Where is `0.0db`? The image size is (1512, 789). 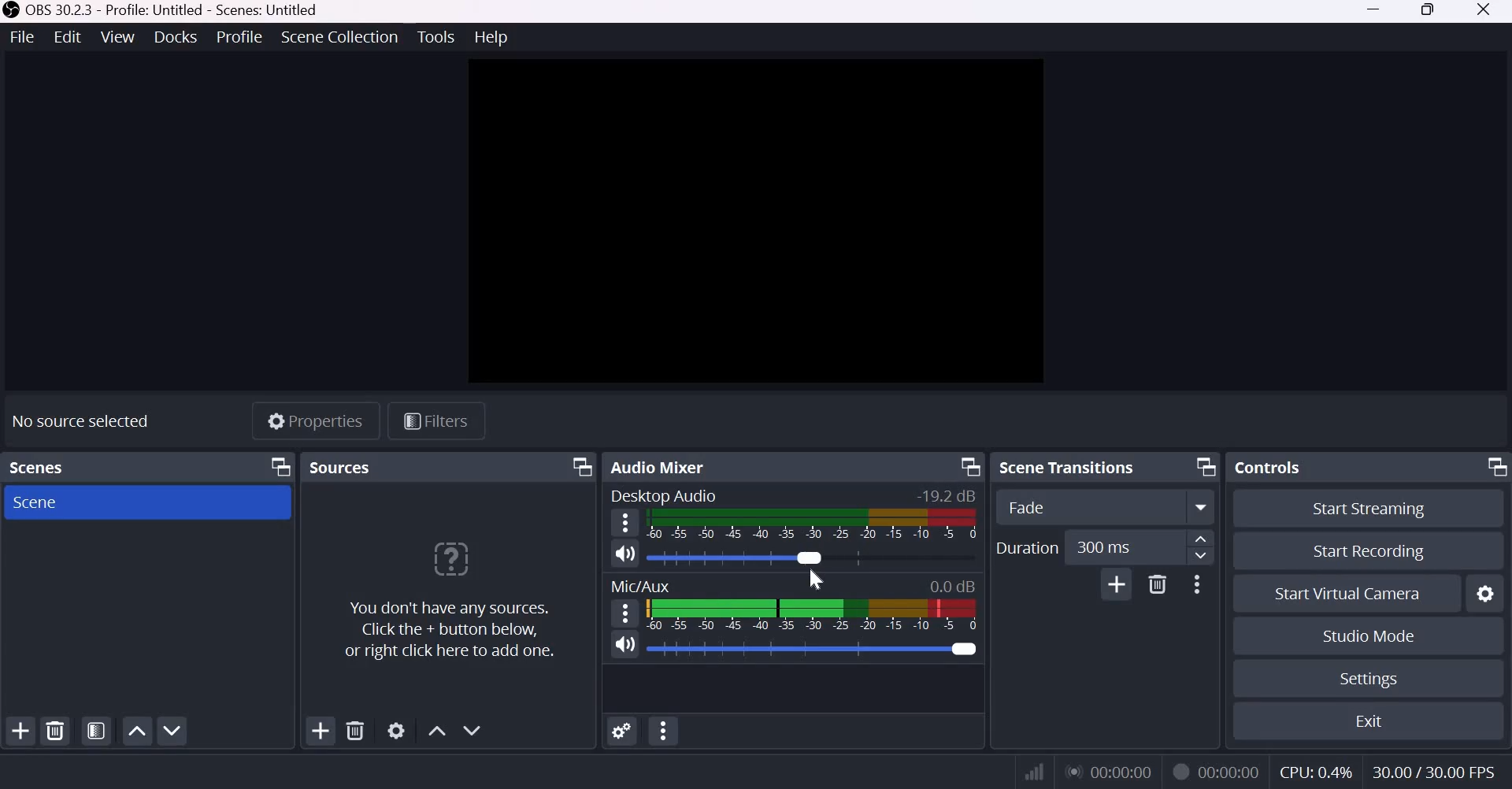 0.0db is located at coordinates (951, 585).